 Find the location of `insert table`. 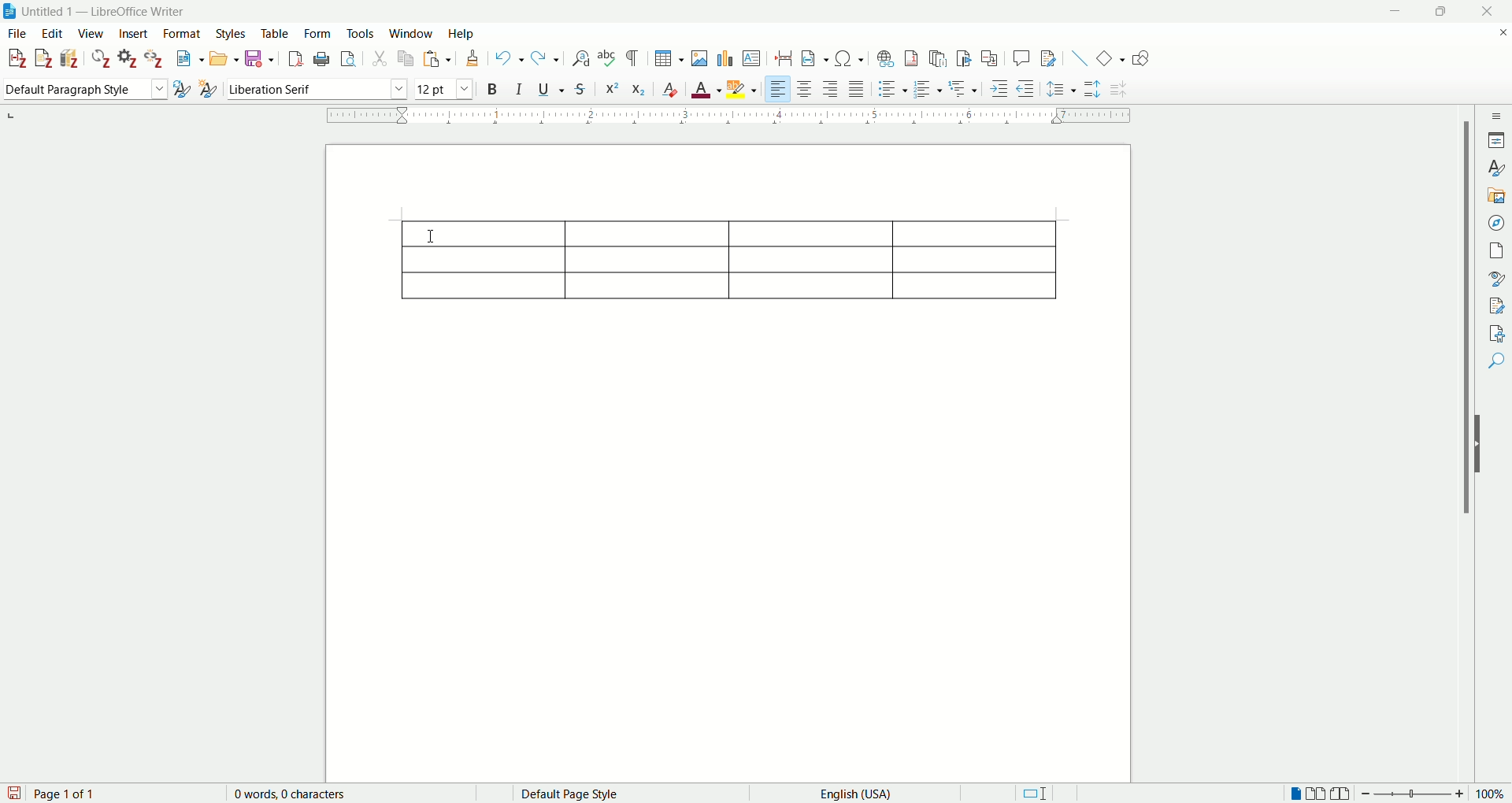

insert table is located at coordinates (669, 60).